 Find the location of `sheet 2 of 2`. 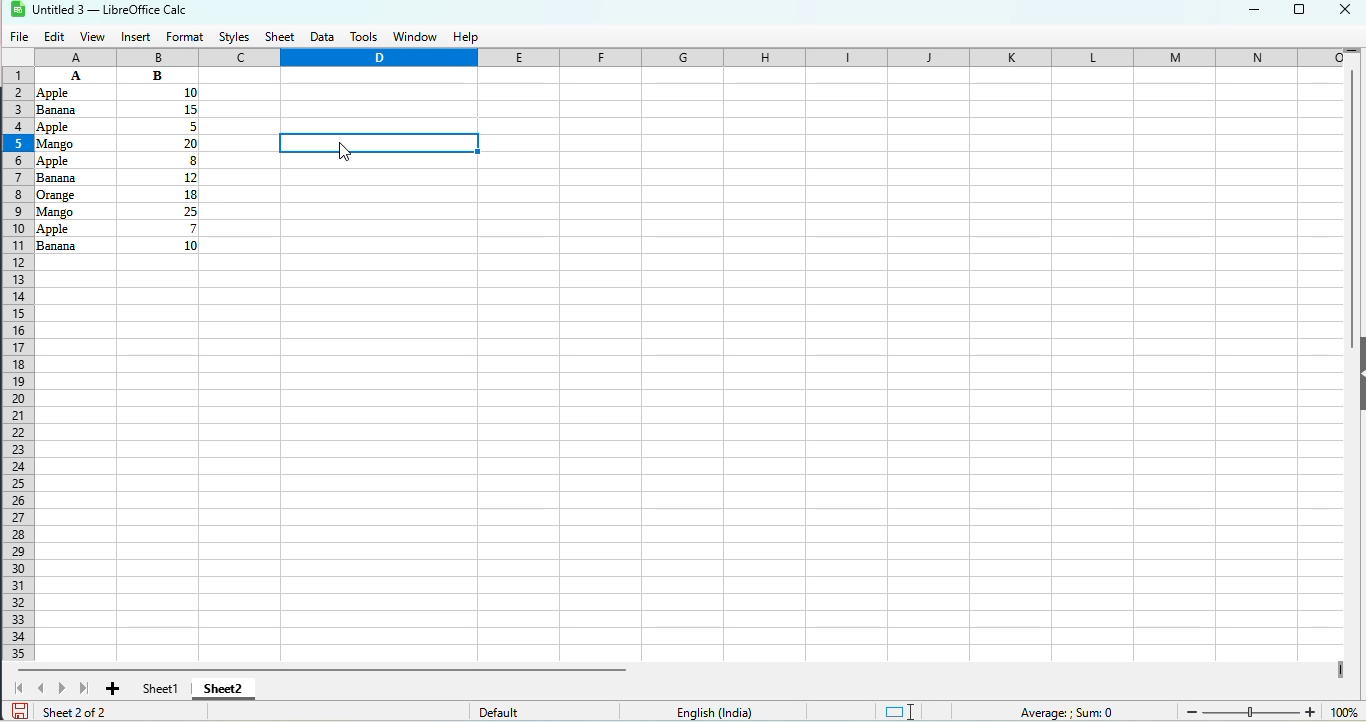

sheet 2 of 2 is located at coordinates (73, 712).